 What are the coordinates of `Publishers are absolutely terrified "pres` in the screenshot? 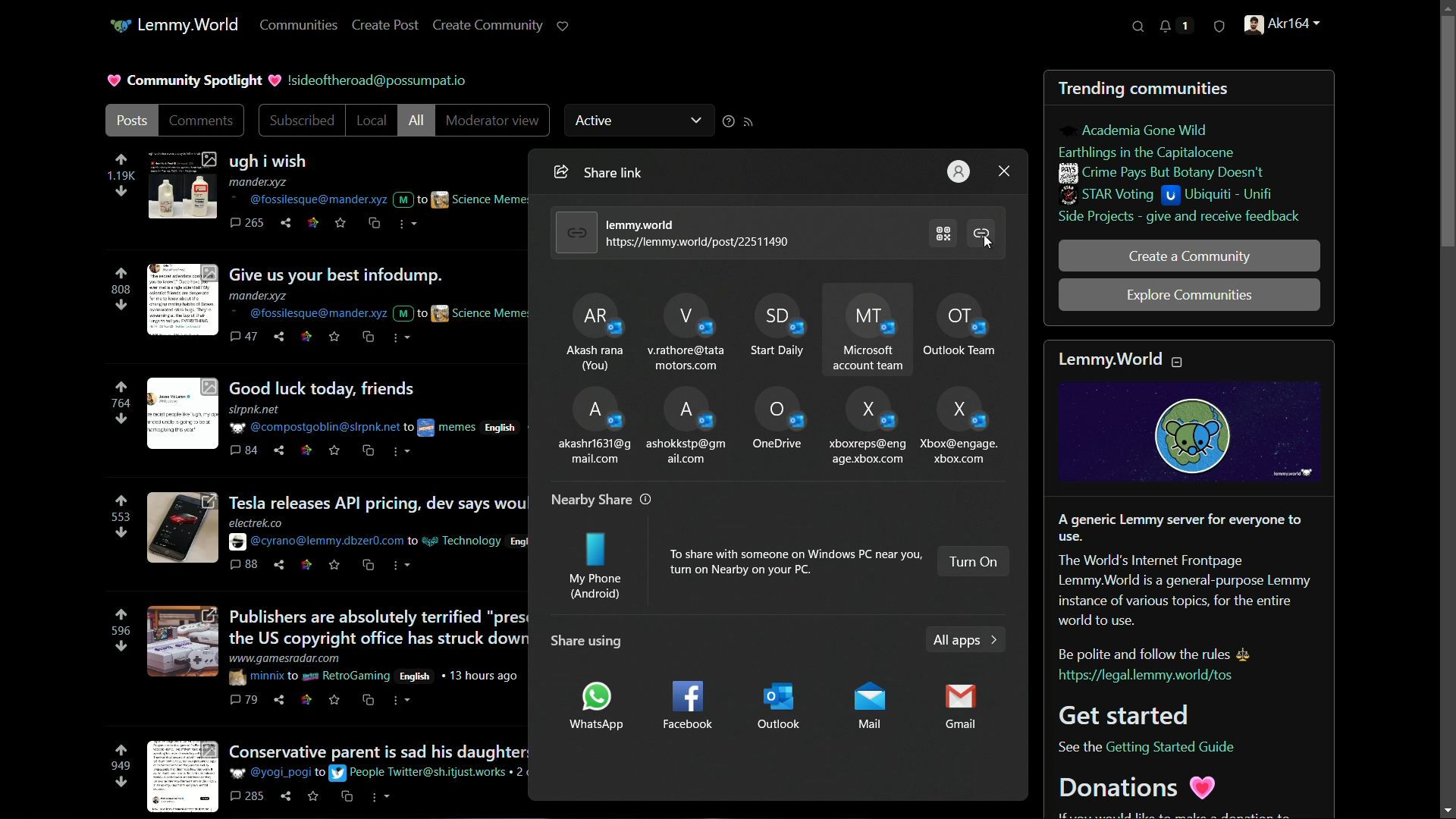 It's located at (378, 617).